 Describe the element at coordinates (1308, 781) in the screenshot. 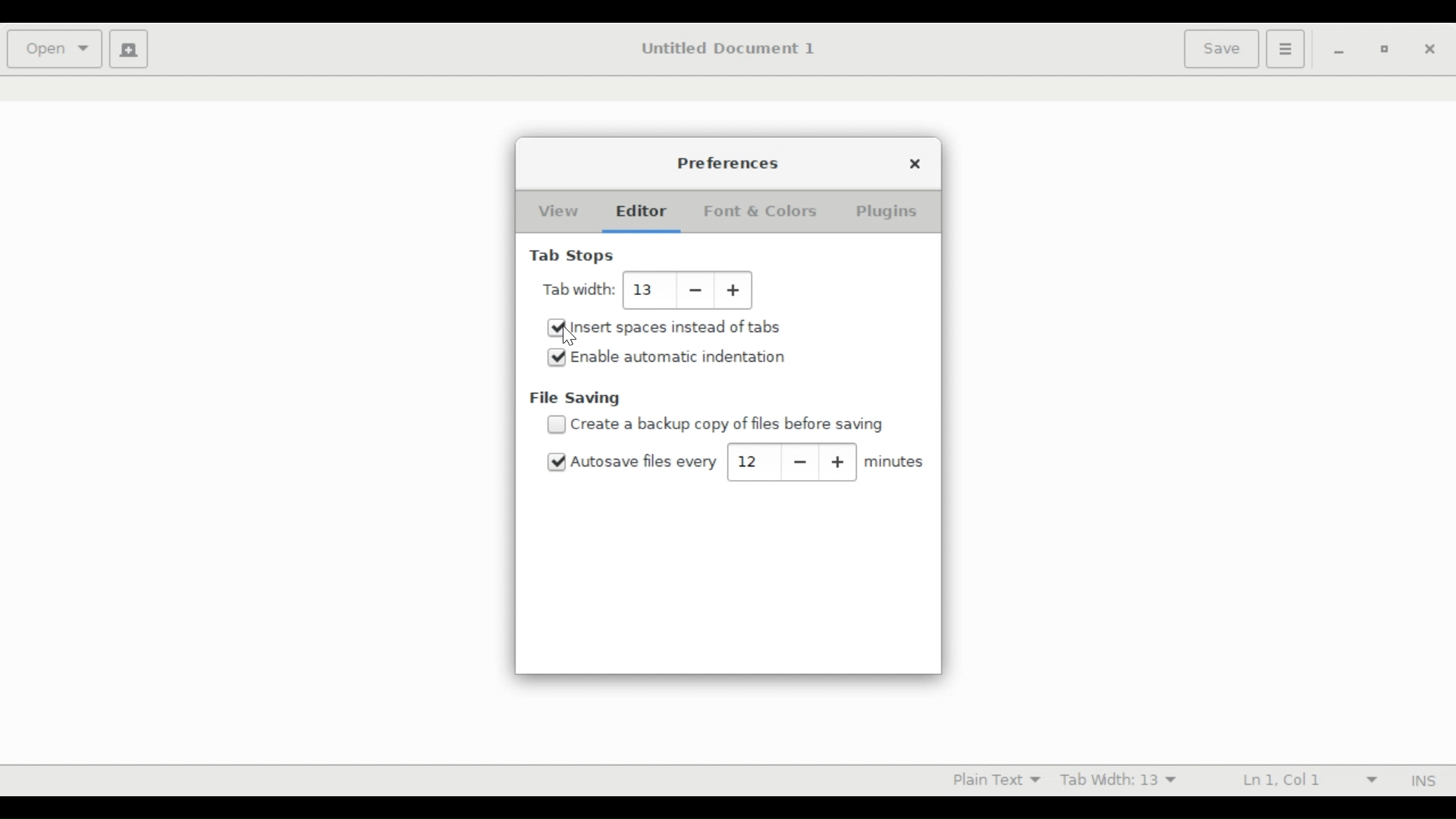

I see `Ln 1 Col 1` at that location.